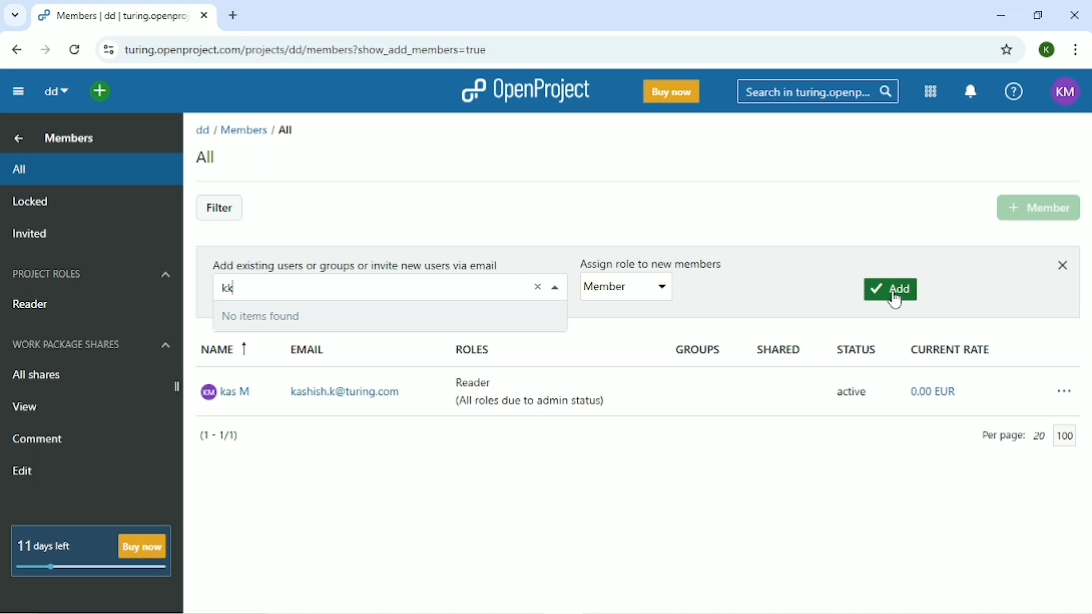 Image resolution: width=1092 pixels, height=614 pixels. I want to click on Reader, so click(482, 381).